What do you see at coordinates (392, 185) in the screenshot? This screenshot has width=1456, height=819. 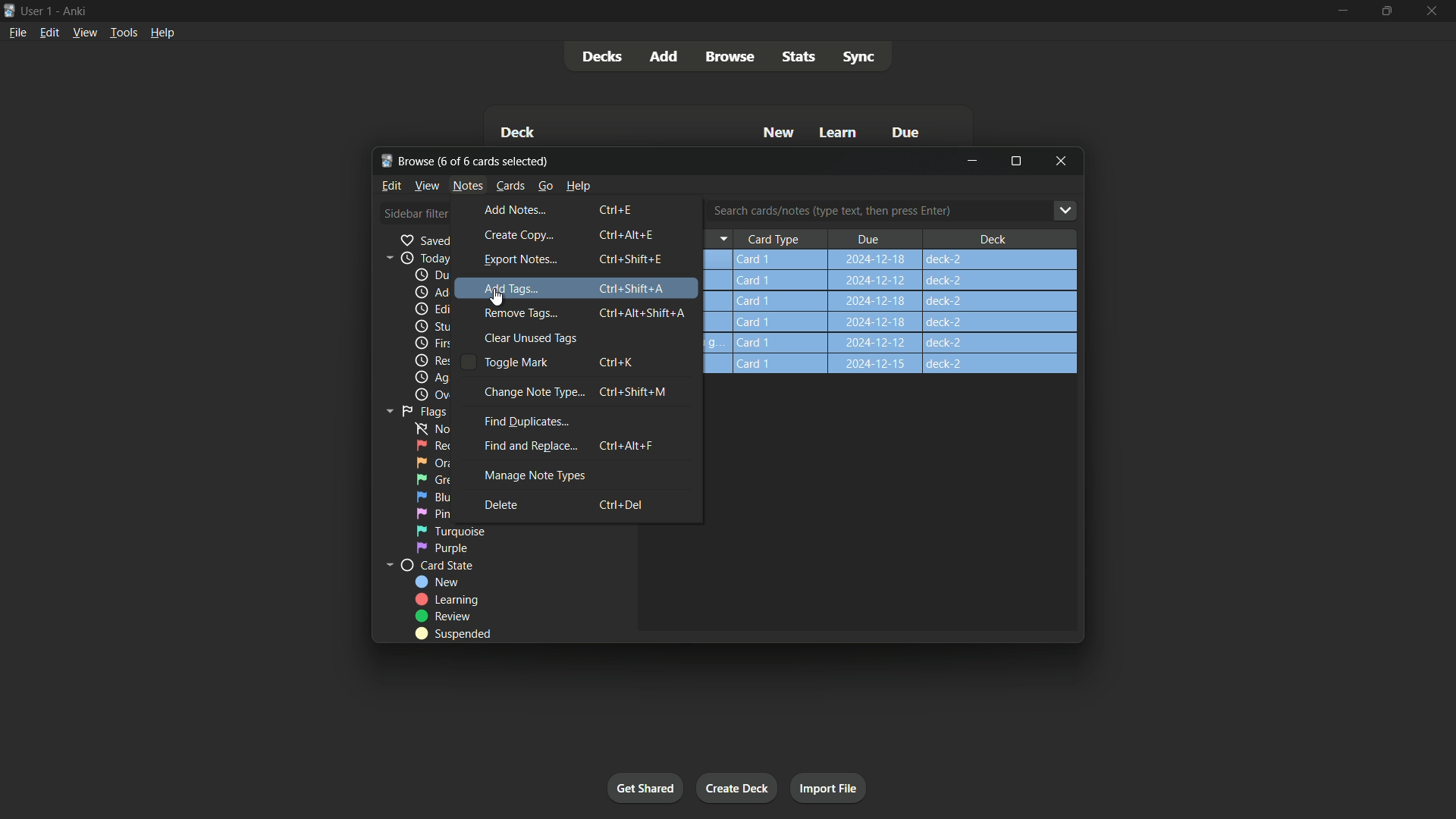 I see `Edit` at bounding box center [392, 185].